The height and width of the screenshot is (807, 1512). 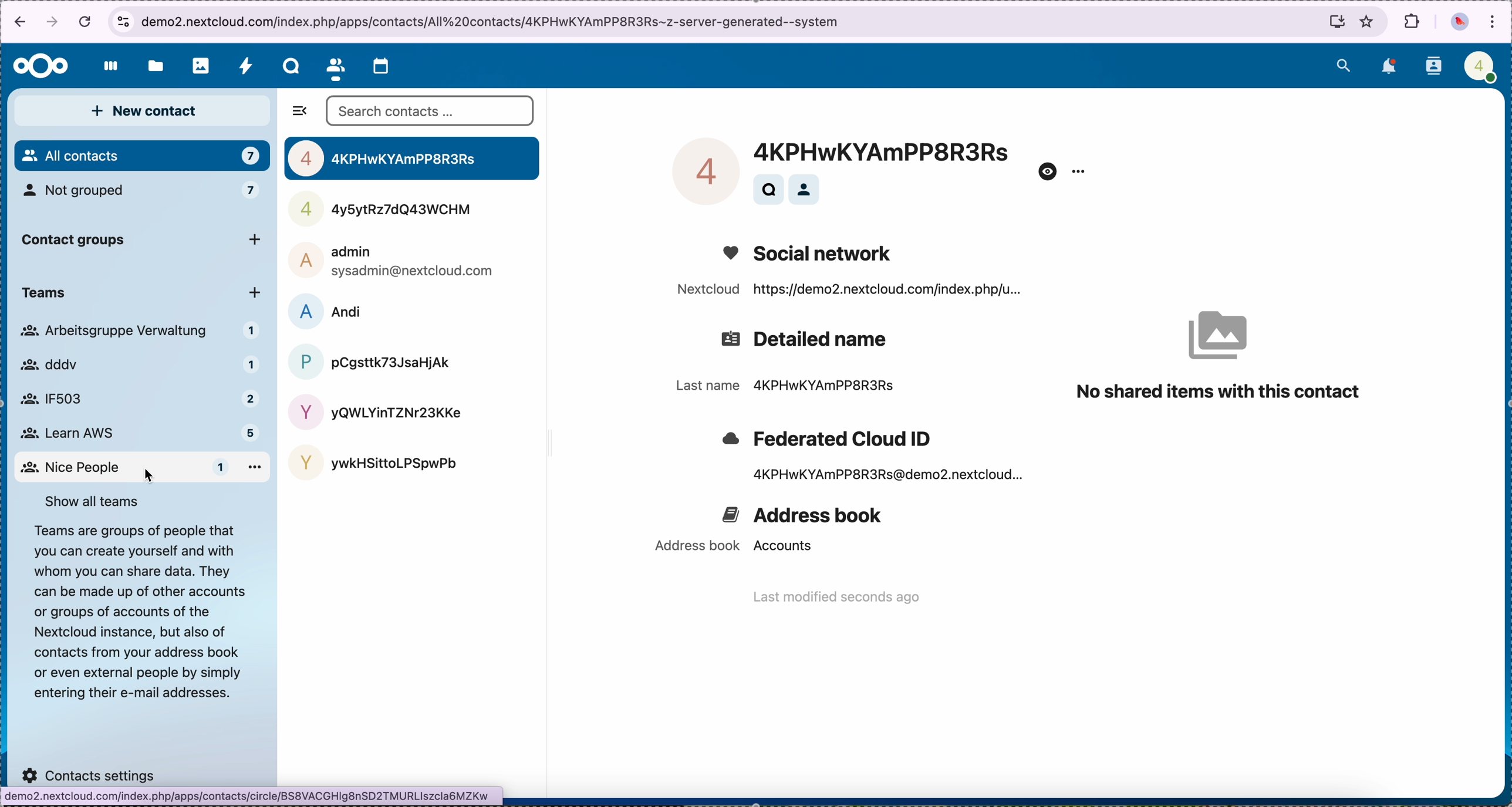 I want to click on contacts, so click(x=1433, y=66).